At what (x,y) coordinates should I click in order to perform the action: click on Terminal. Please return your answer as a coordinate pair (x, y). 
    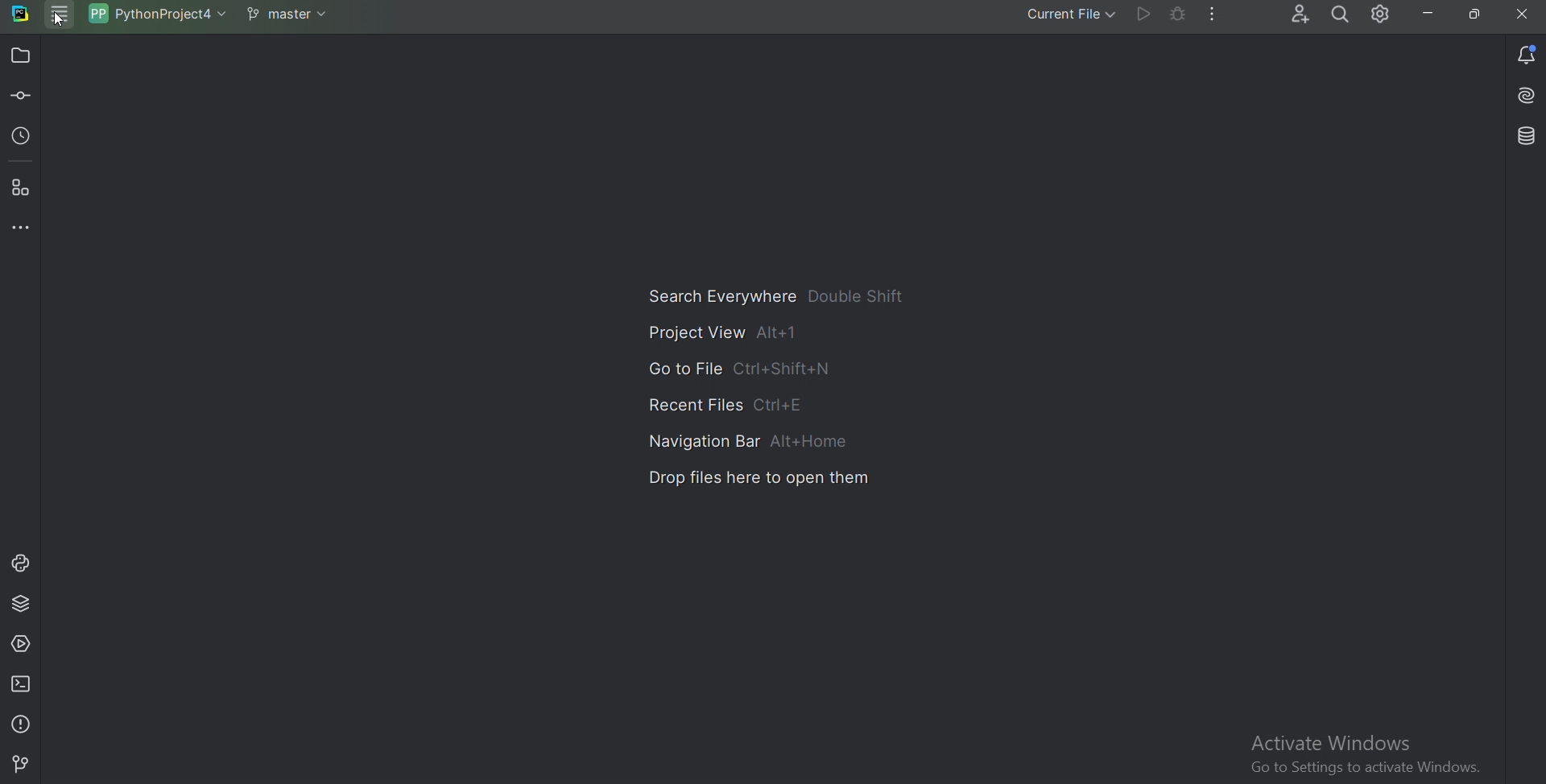
    Looking at the image, I should click on (23, 685).